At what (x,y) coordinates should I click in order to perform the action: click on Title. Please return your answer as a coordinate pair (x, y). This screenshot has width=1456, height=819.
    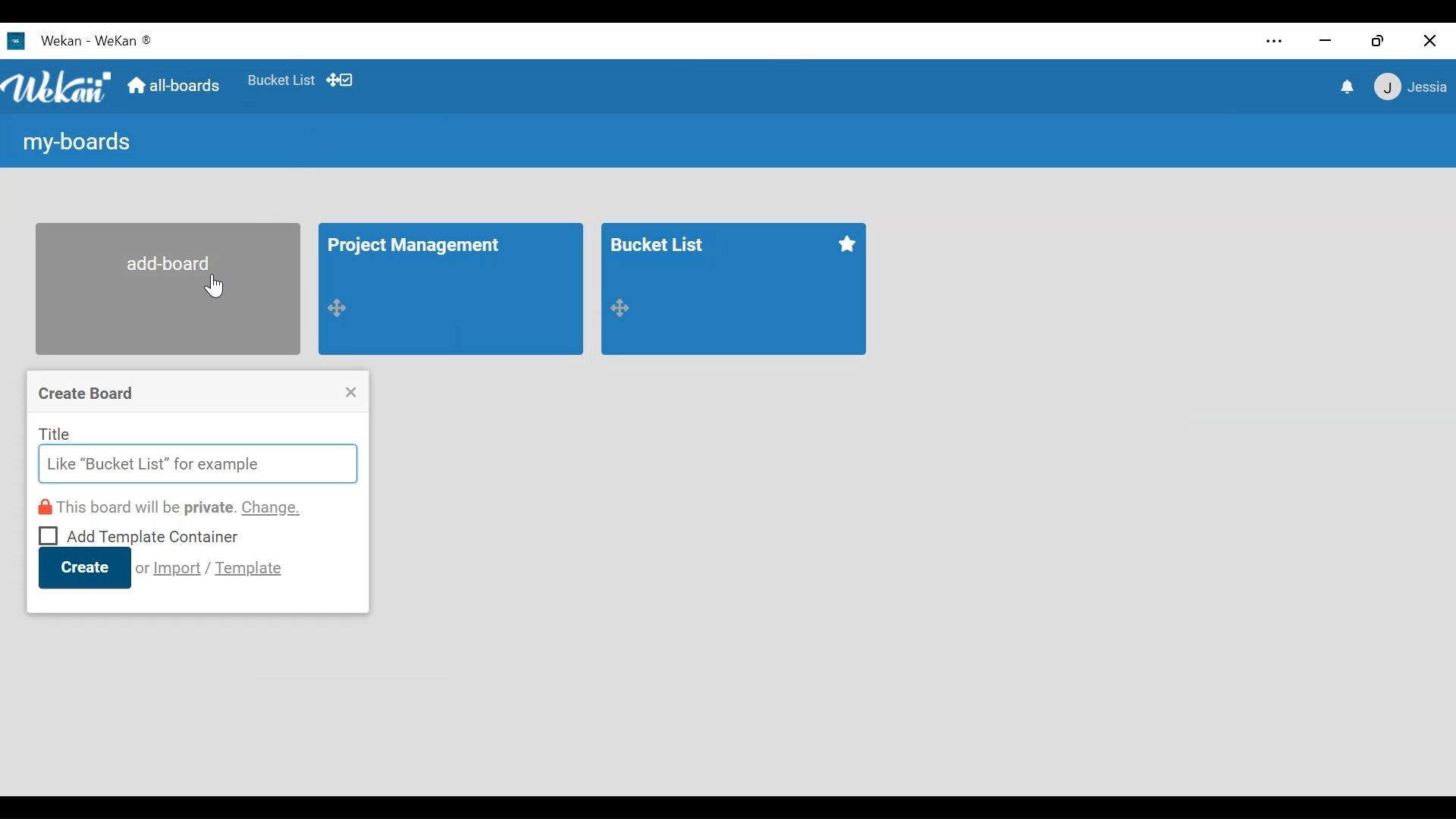
    Looking at the image, I should click on (55, 433).